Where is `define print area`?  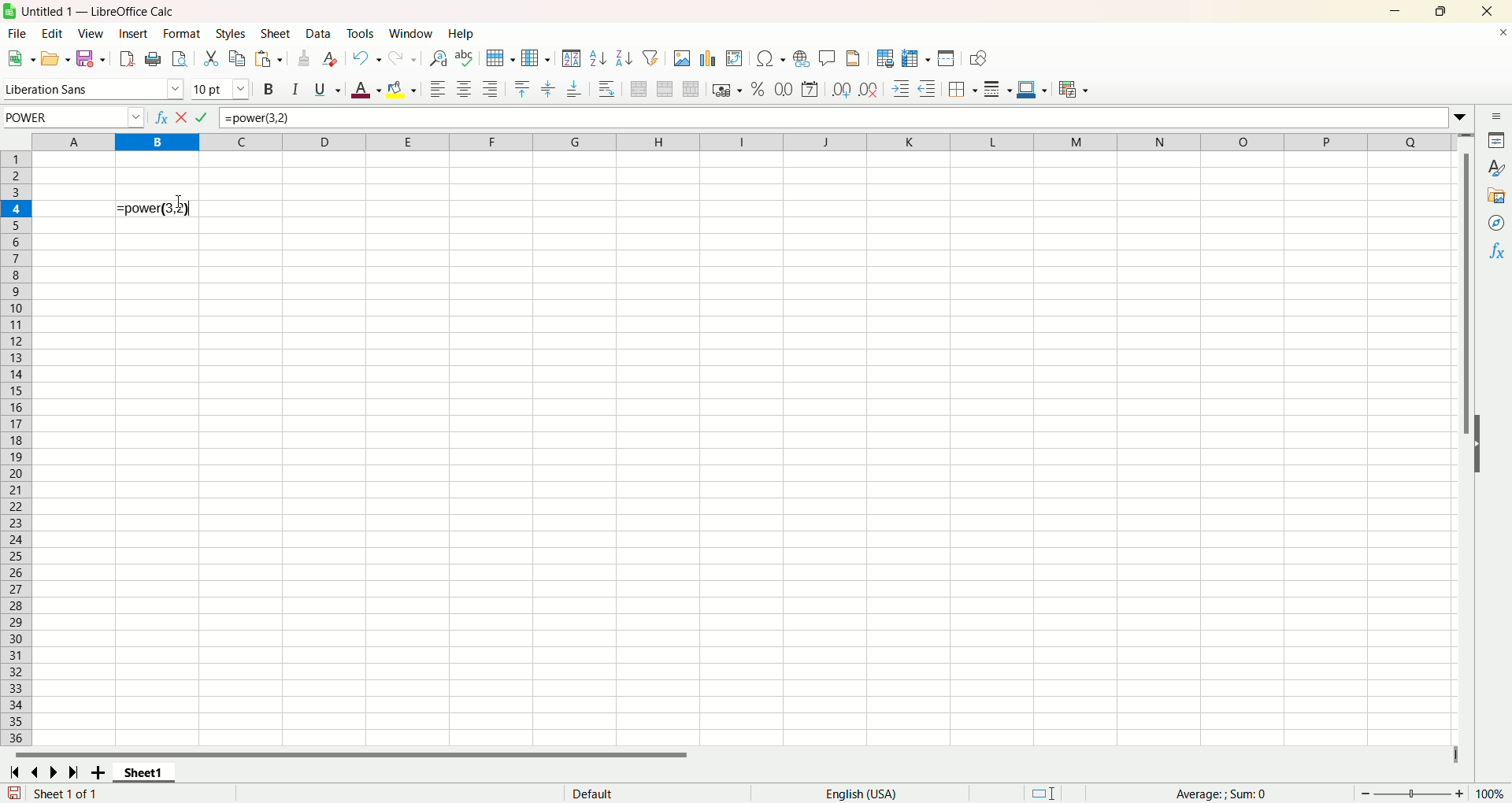
define print area is located at coordinates (886, 58).